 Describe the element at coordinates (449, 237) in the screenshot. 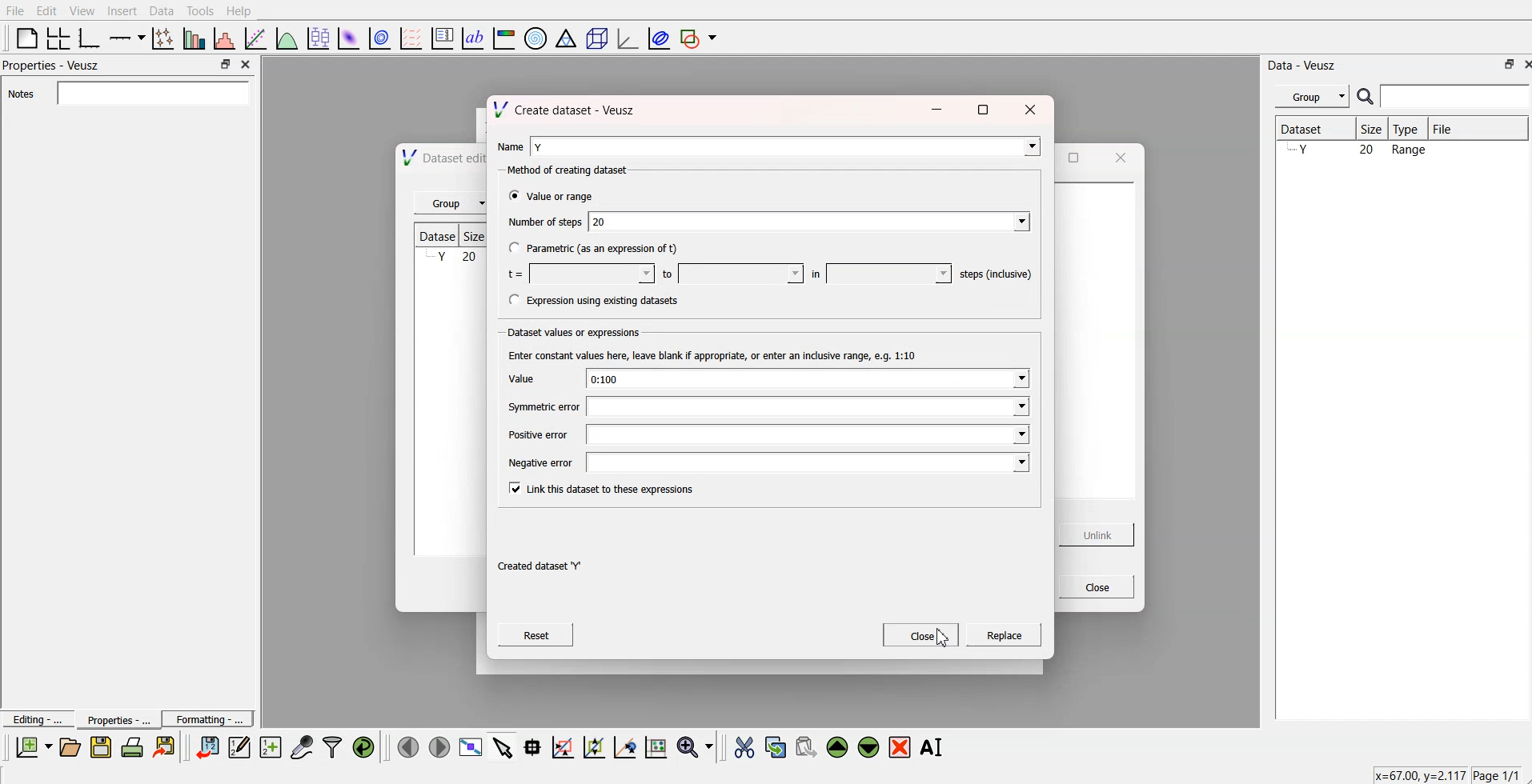

I see `Dataset | Siz` at that location.